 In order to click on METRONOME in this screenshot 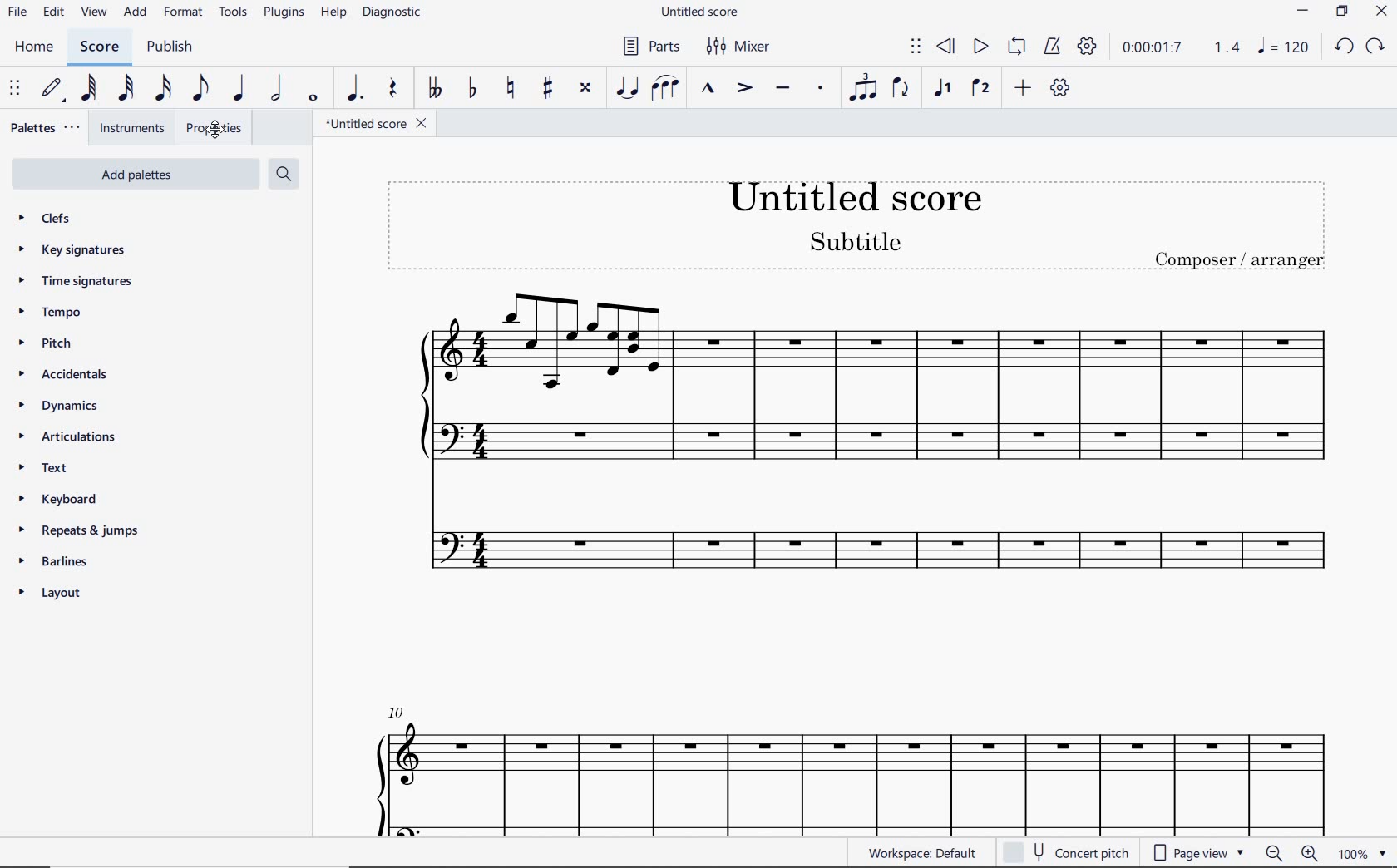, I will do `click(1054, 45)`.